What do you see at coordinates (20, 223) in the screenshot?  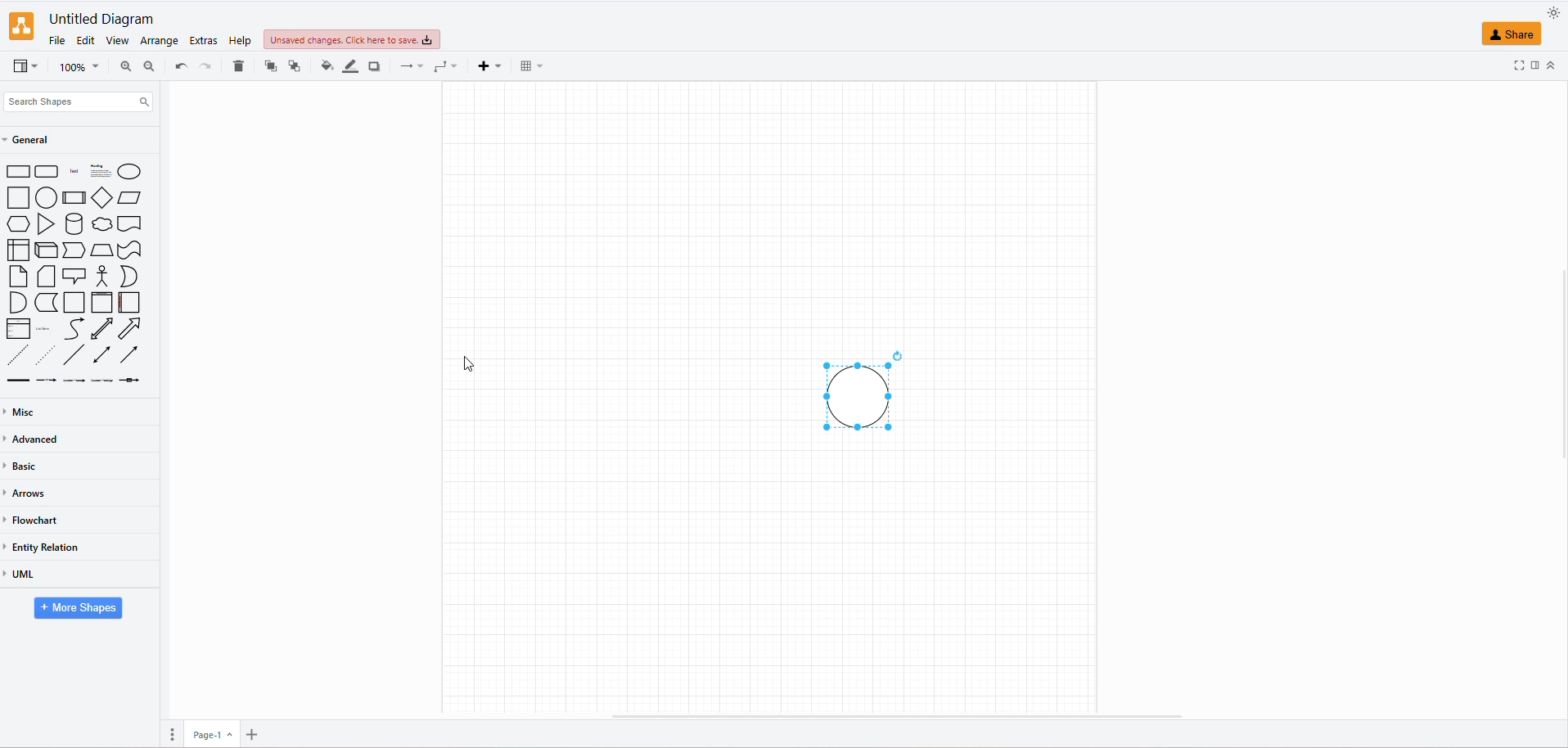 I see `HEXAGON` at bounding box center [20, 223].